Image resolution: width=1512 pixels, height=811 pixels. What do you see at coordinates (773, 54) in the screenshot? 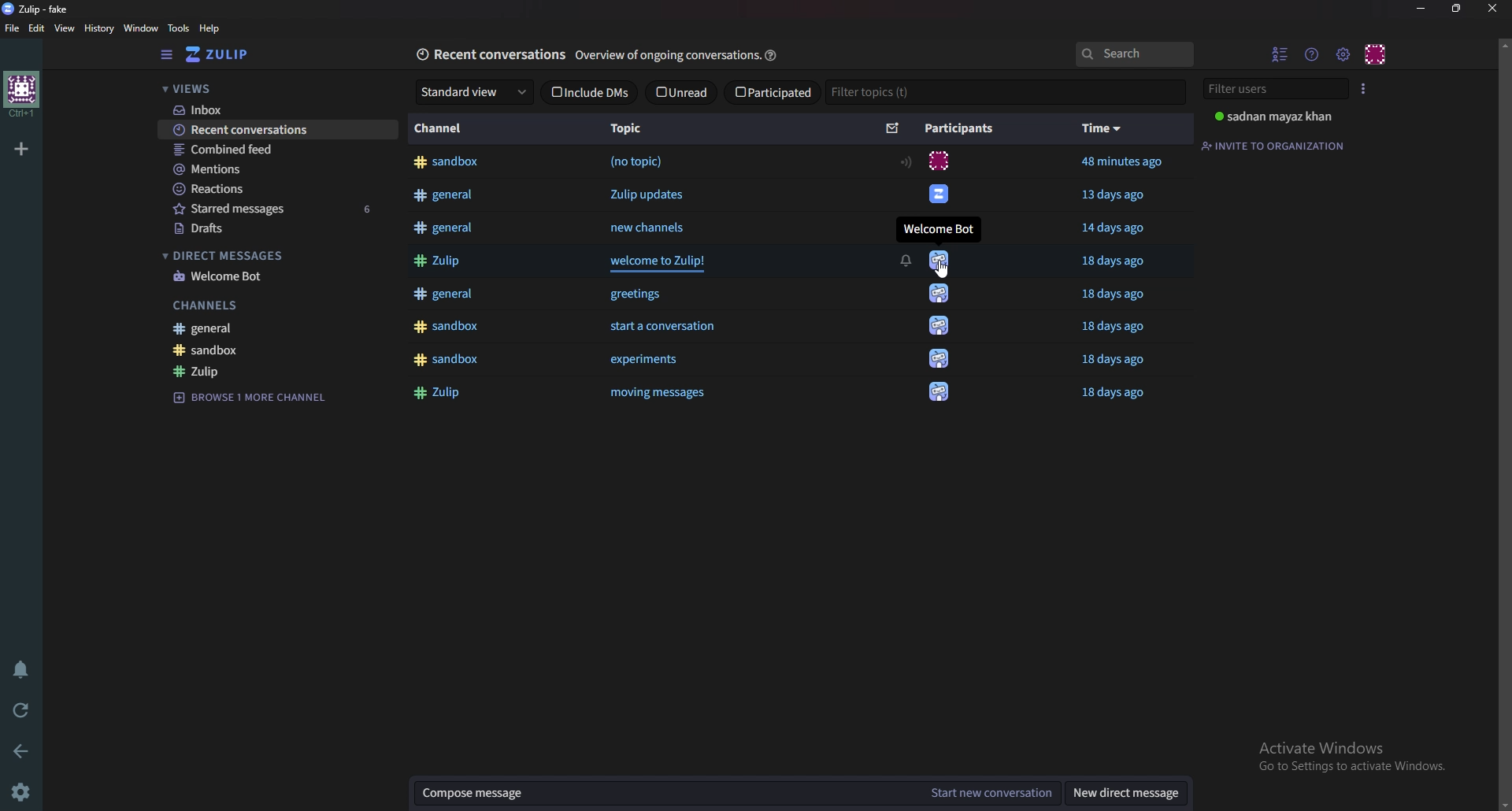
I see `help` at bounding box center [773, 54].